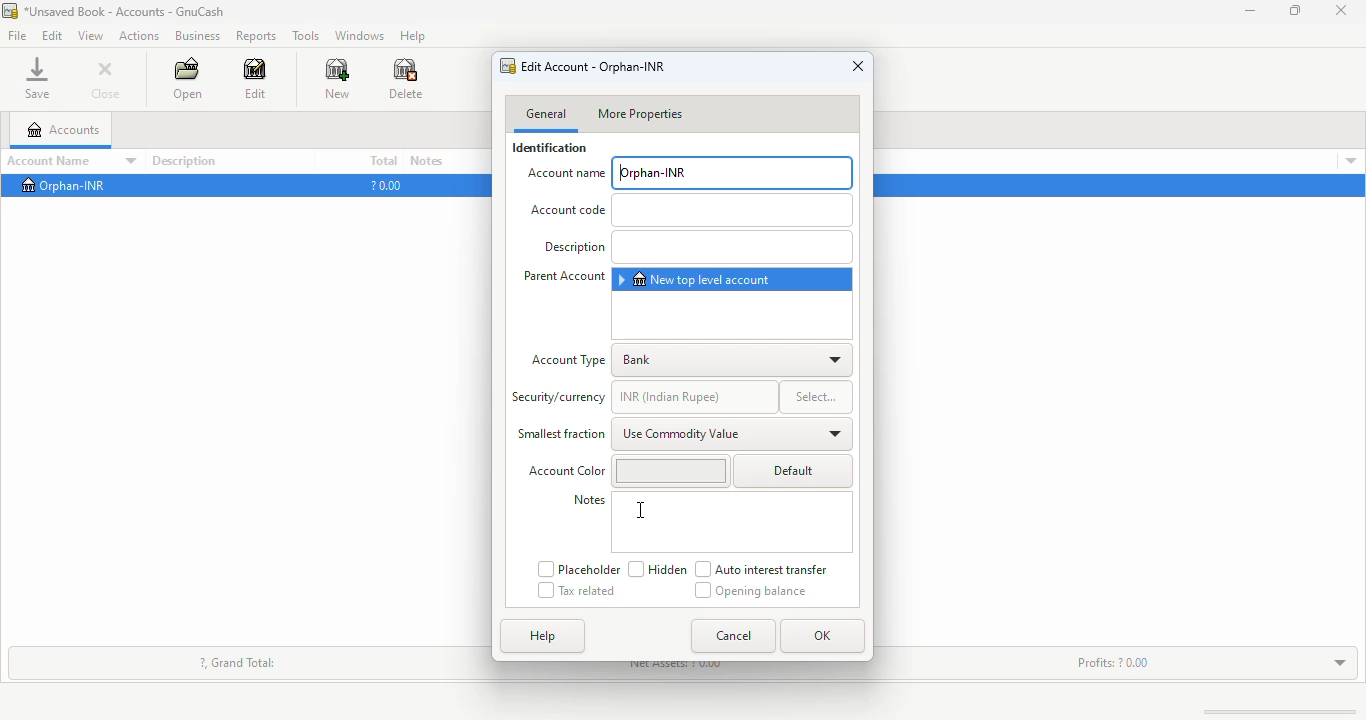  Describe the element at coordinates (507, 66) in the screenshot. I see `logo` at that location.